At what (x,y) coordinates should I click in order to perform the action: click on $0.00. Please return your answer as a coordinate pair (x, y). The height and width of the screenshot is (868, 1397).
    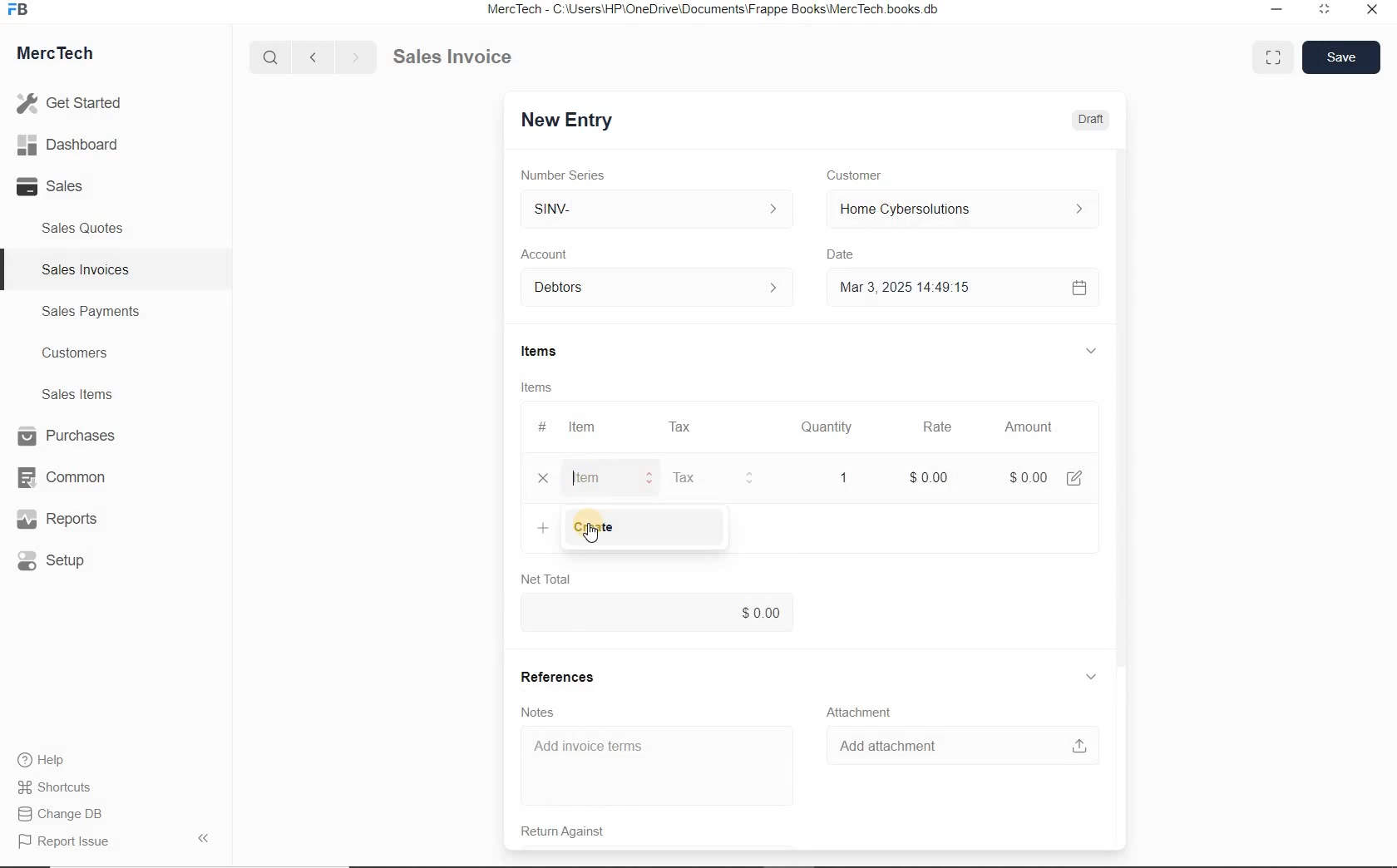
    Looking at the image, I should click on (657, 614).